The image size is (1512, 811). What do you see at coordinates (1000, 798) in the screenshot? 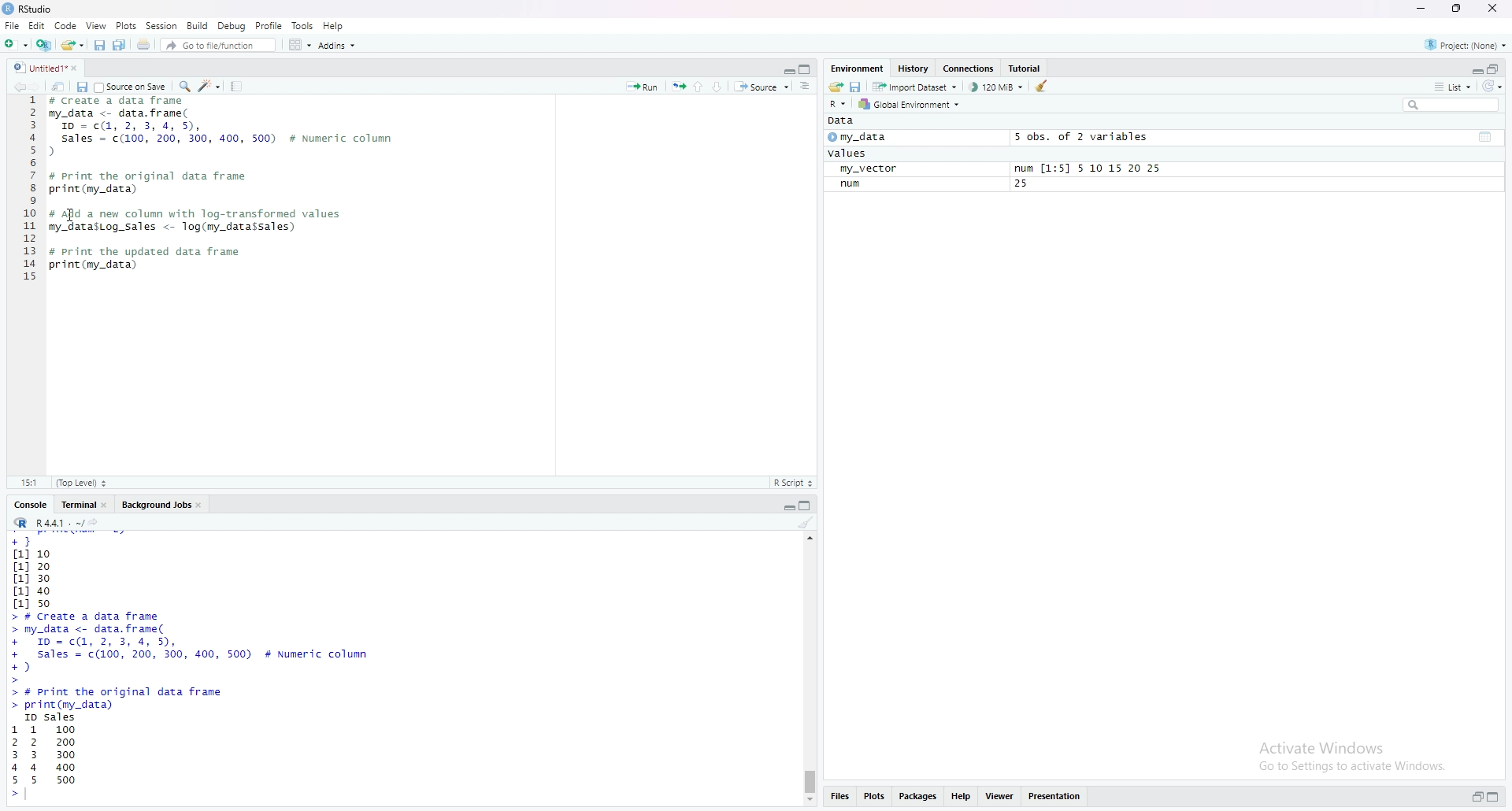
I see `viewer` at bounding box center [1000, 798].